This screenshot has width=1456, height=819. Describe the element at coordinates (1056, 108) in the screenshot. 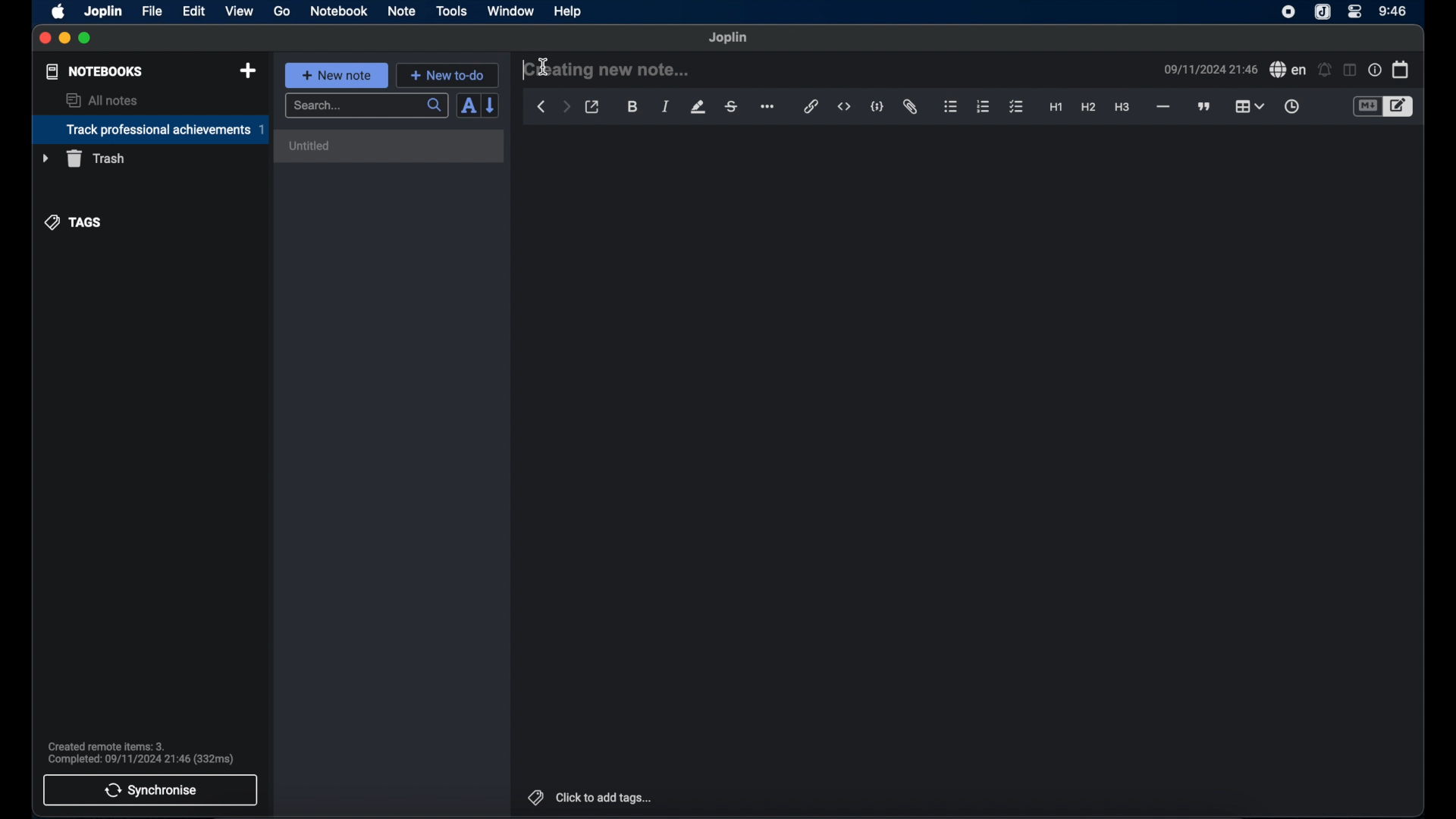

I see `heading 1` at that location.